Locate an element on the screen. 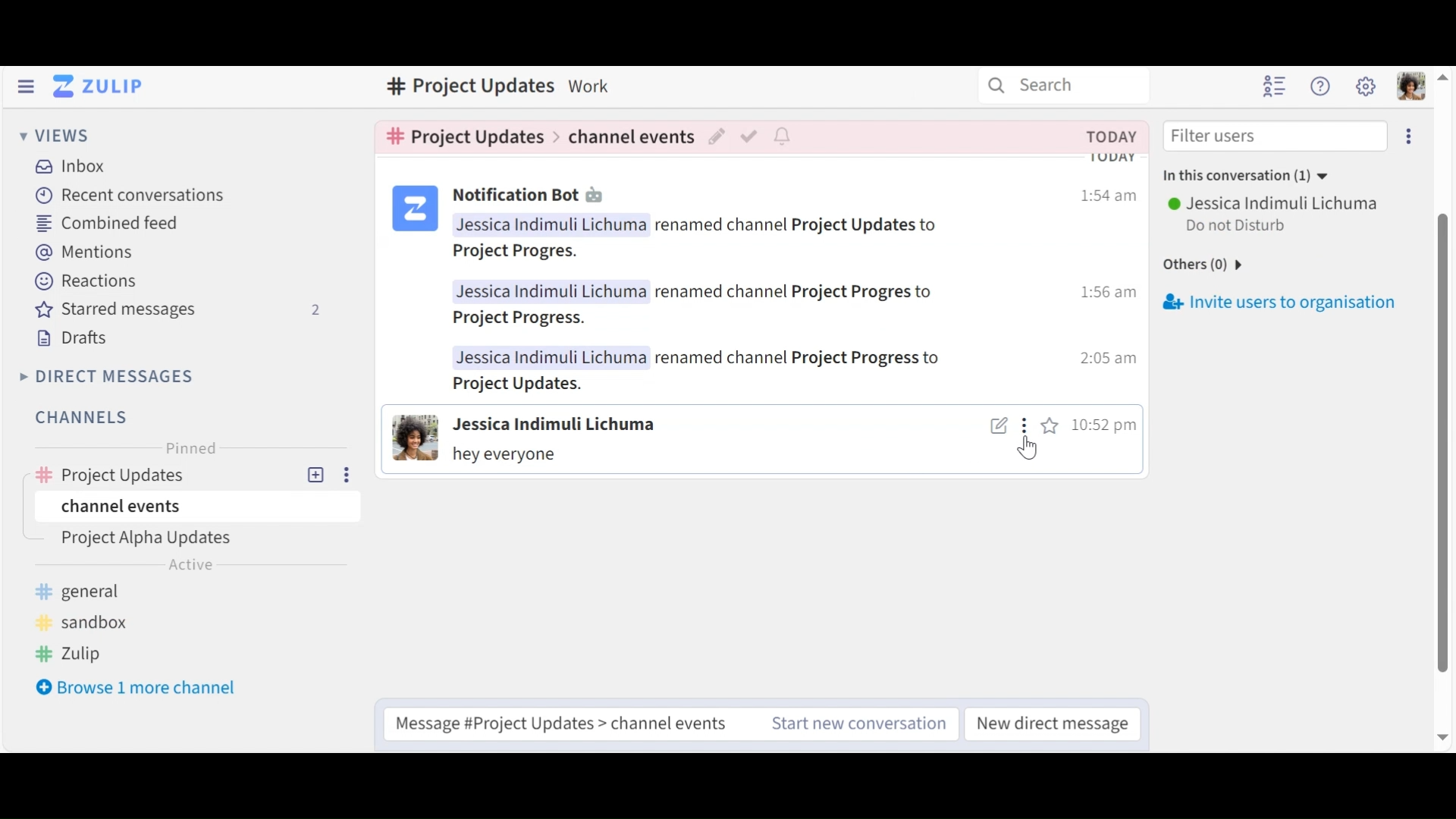 The width and height of the screenshot is (1456, 819). username is located at coordinates (1270, 201).